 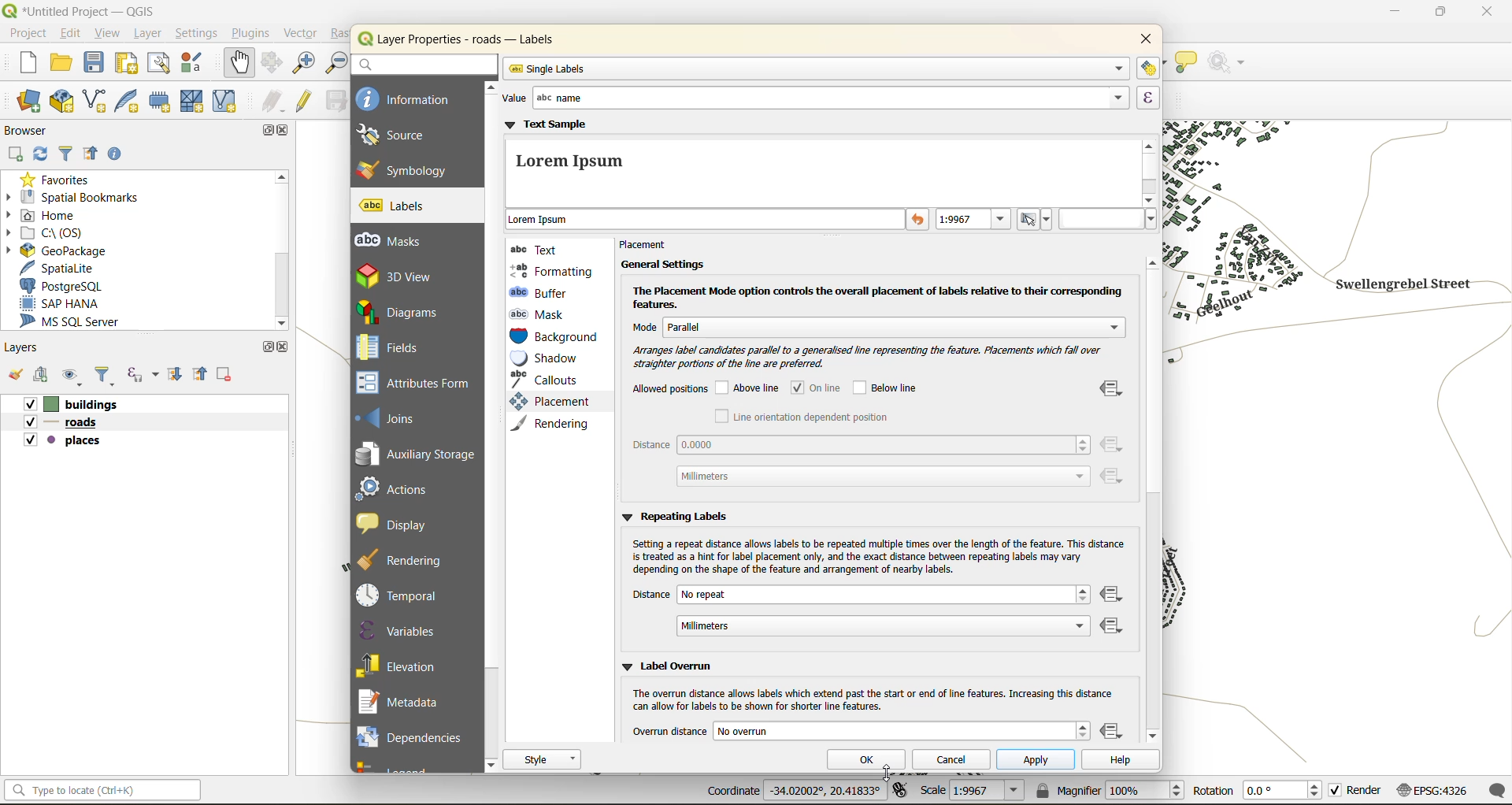 What do you see at coordinates (822, 388) in the screenshot?
I see `online checked` at bounding box center [822, 388].